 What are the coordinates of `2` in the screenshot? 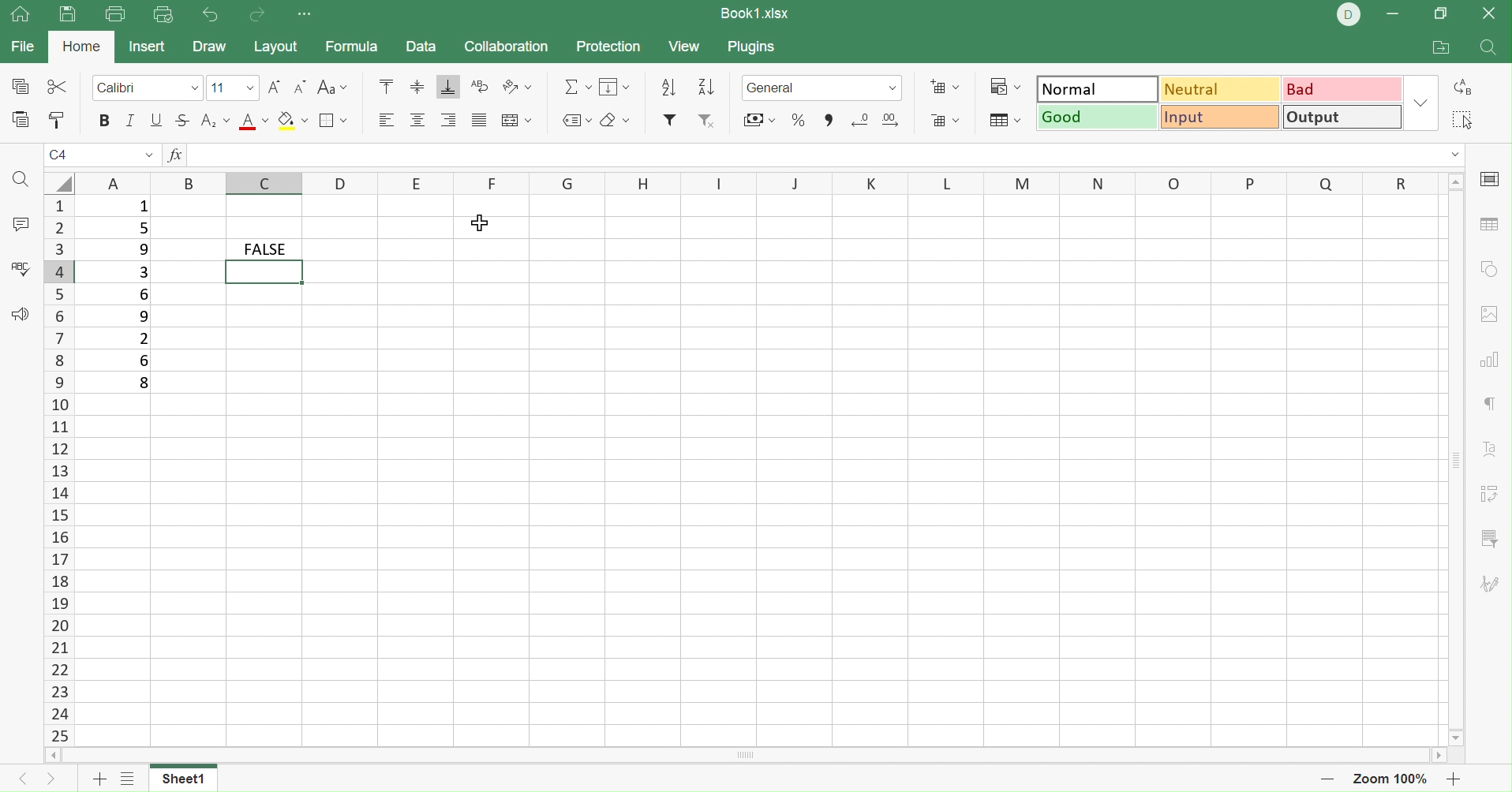 It's located at (141, 340).